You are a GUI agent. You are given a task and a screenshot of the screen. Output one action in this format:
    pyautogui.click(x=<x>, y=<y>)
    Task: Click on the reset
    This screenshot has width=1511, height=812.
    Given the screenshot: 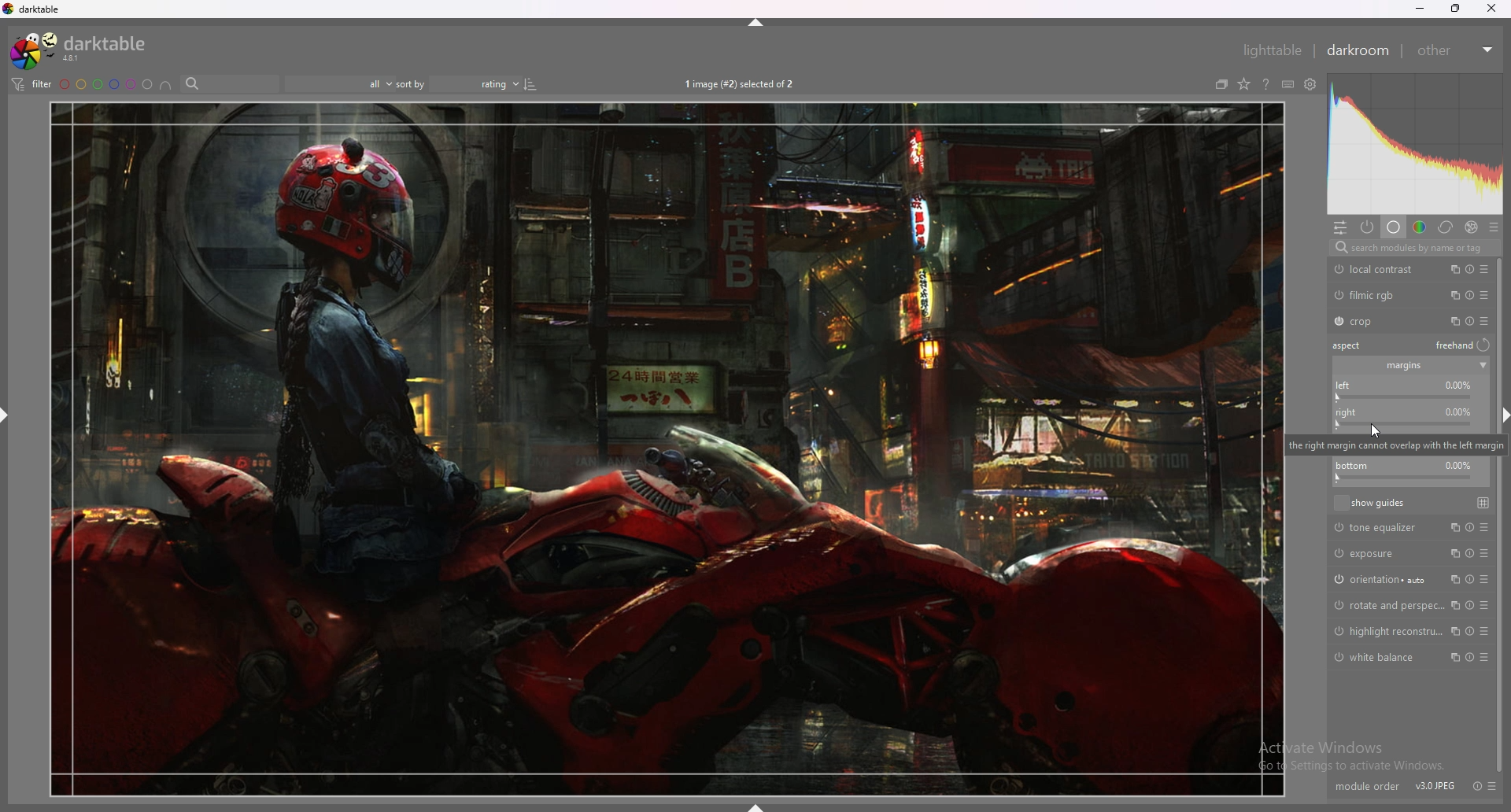 What is the action you would take?
    pyautogui.click(x=1469, y=658)
    